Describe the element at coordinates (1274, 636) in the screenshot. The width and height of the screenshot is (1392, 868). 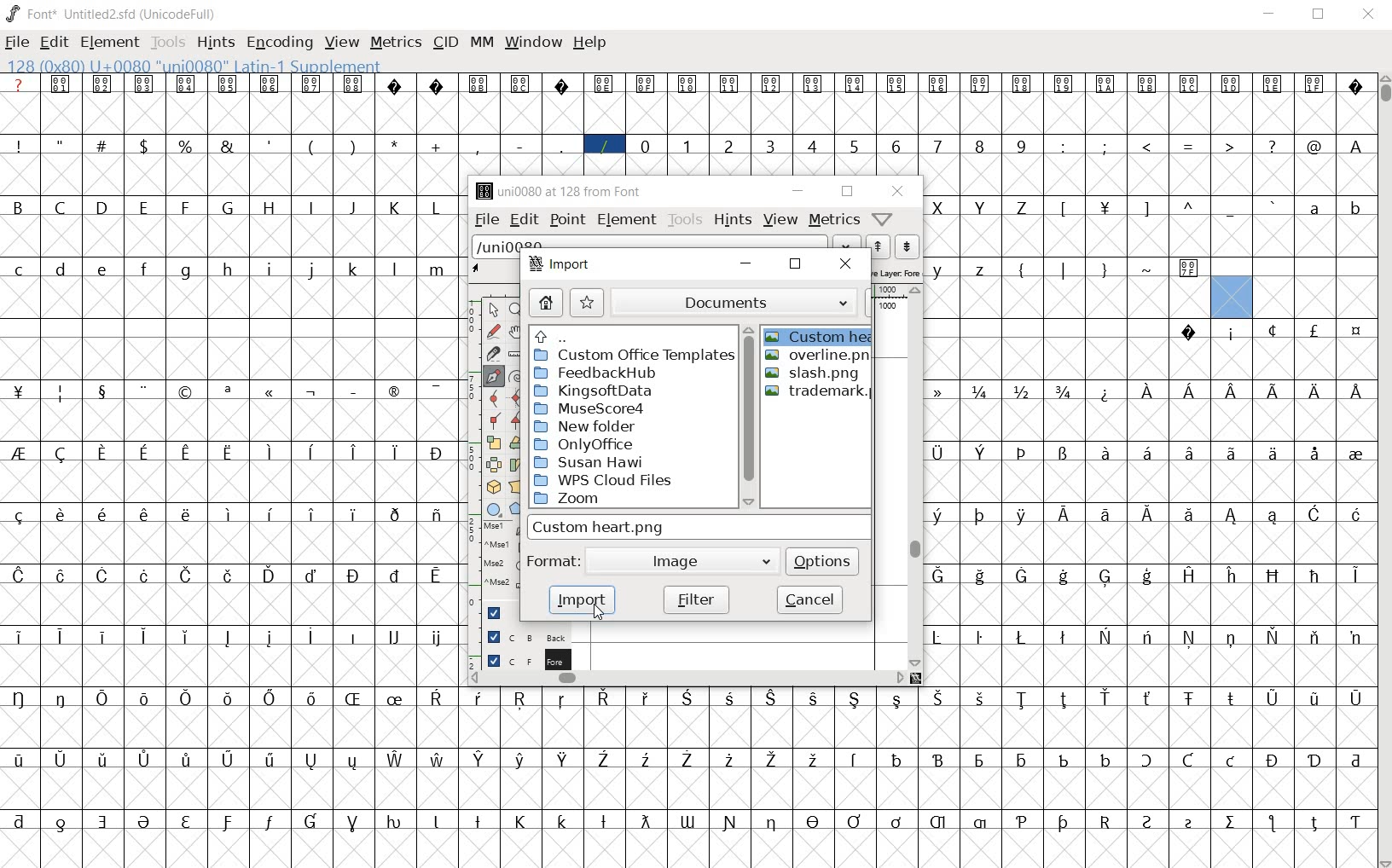
I see `glyph` at that location.